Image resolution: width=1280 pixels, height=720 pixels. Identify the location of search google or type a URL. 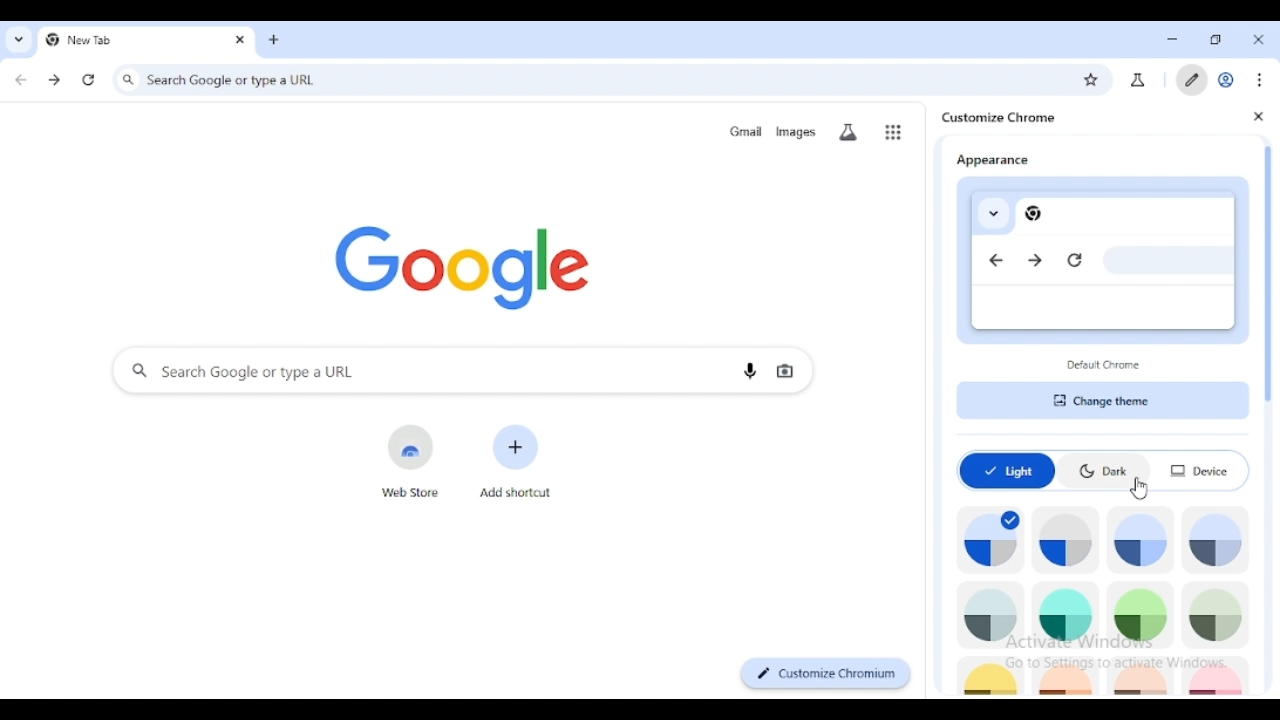
(410, 370).